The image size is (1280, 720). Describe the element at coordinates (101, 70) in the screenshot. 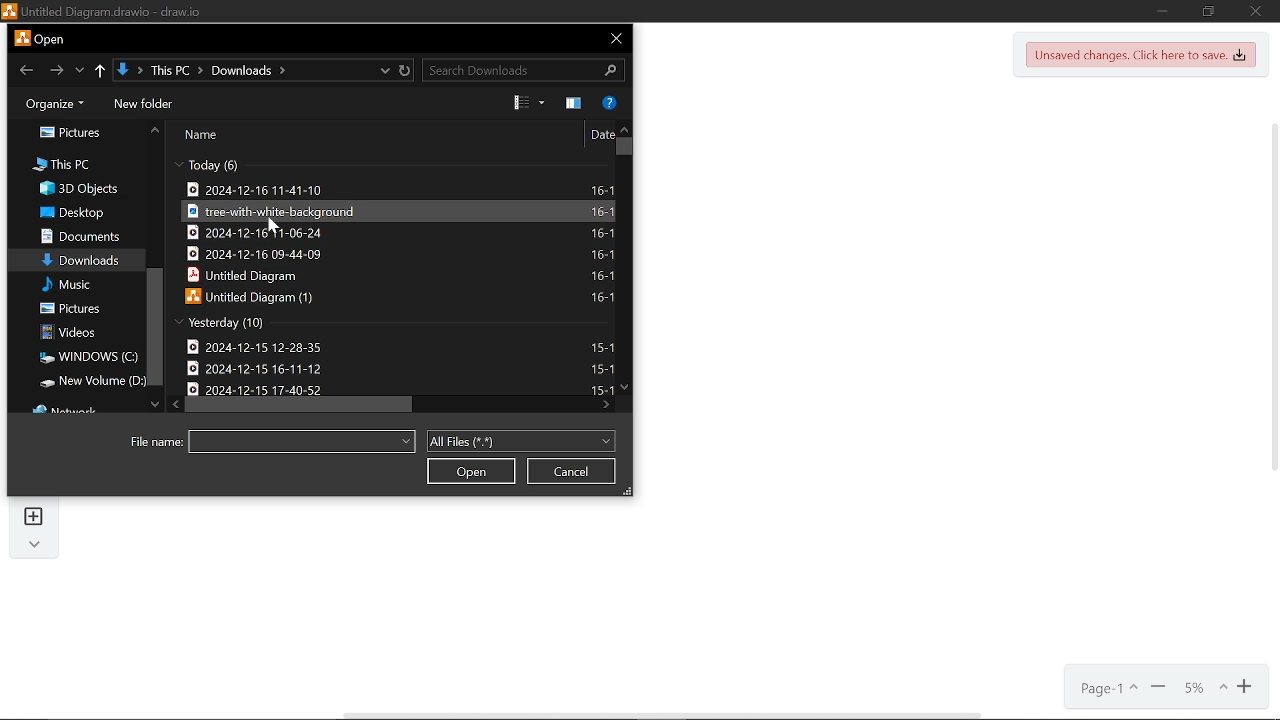

I see `Upto THis PC` at that location.